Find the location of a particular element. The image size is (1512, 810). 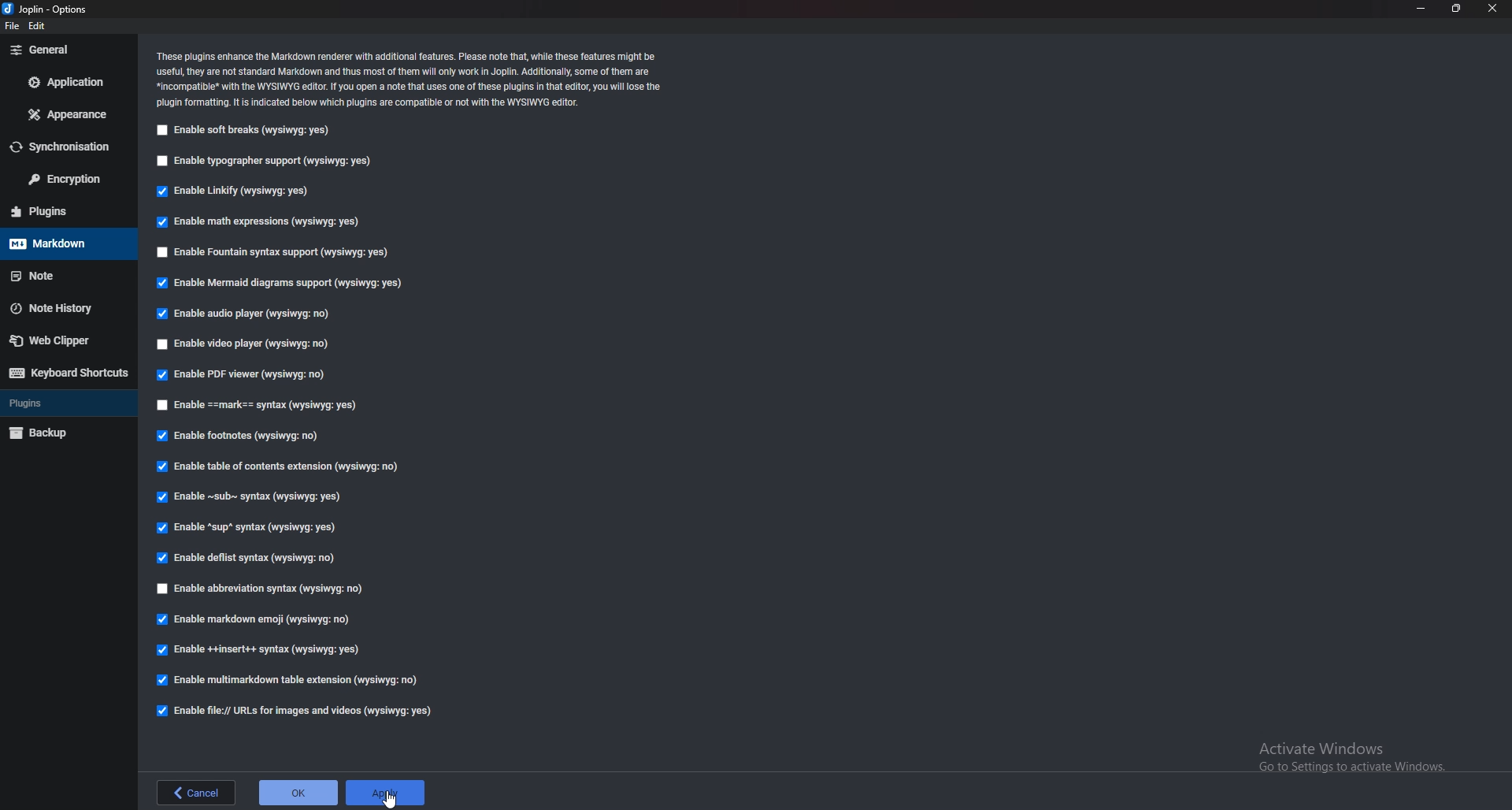

Enable mermaid diagram support is located at coordinates (280, 284).